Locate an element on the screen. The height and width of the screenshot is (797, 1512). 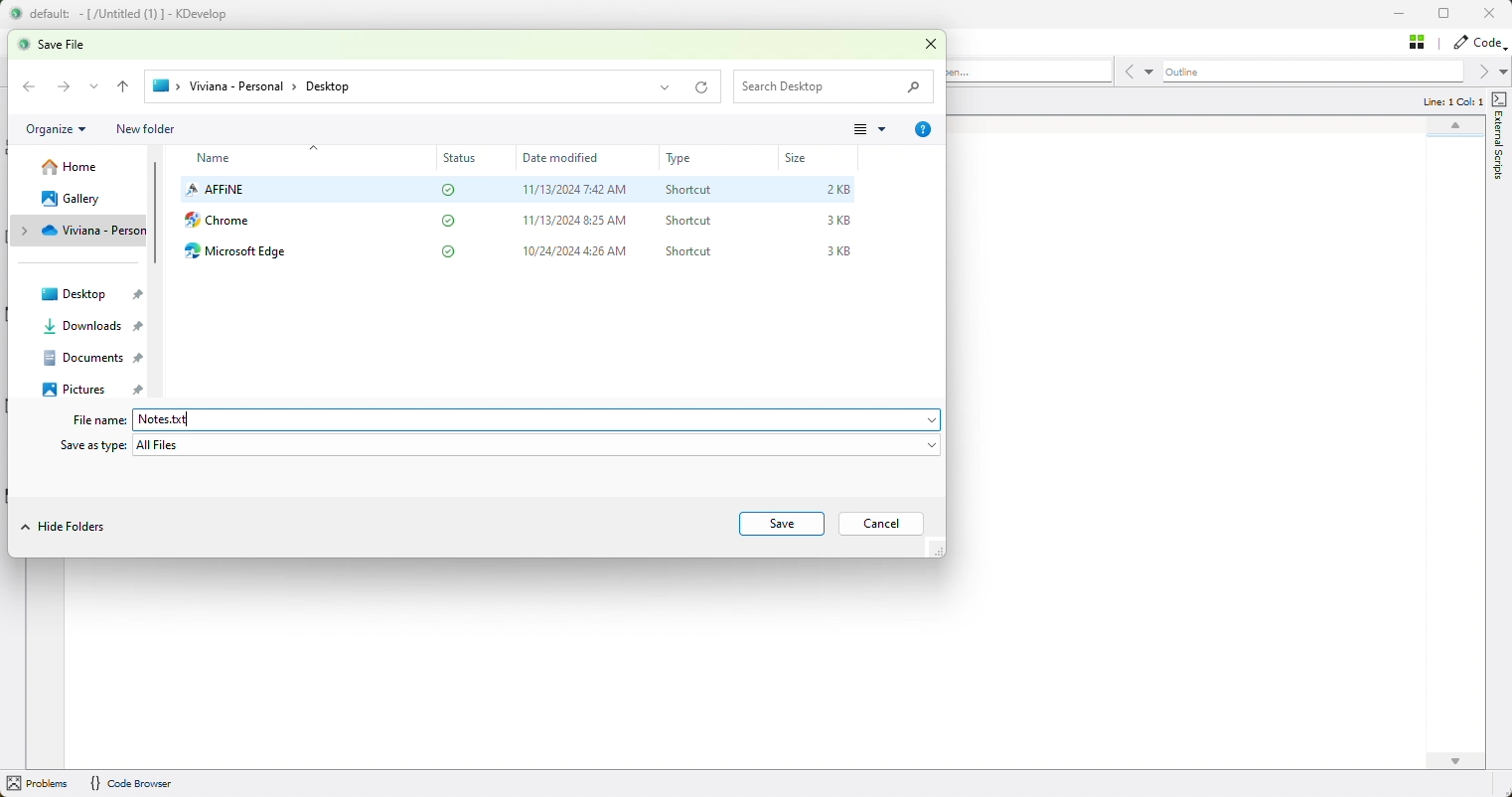
minimise is located at coordinates (1404, 16).